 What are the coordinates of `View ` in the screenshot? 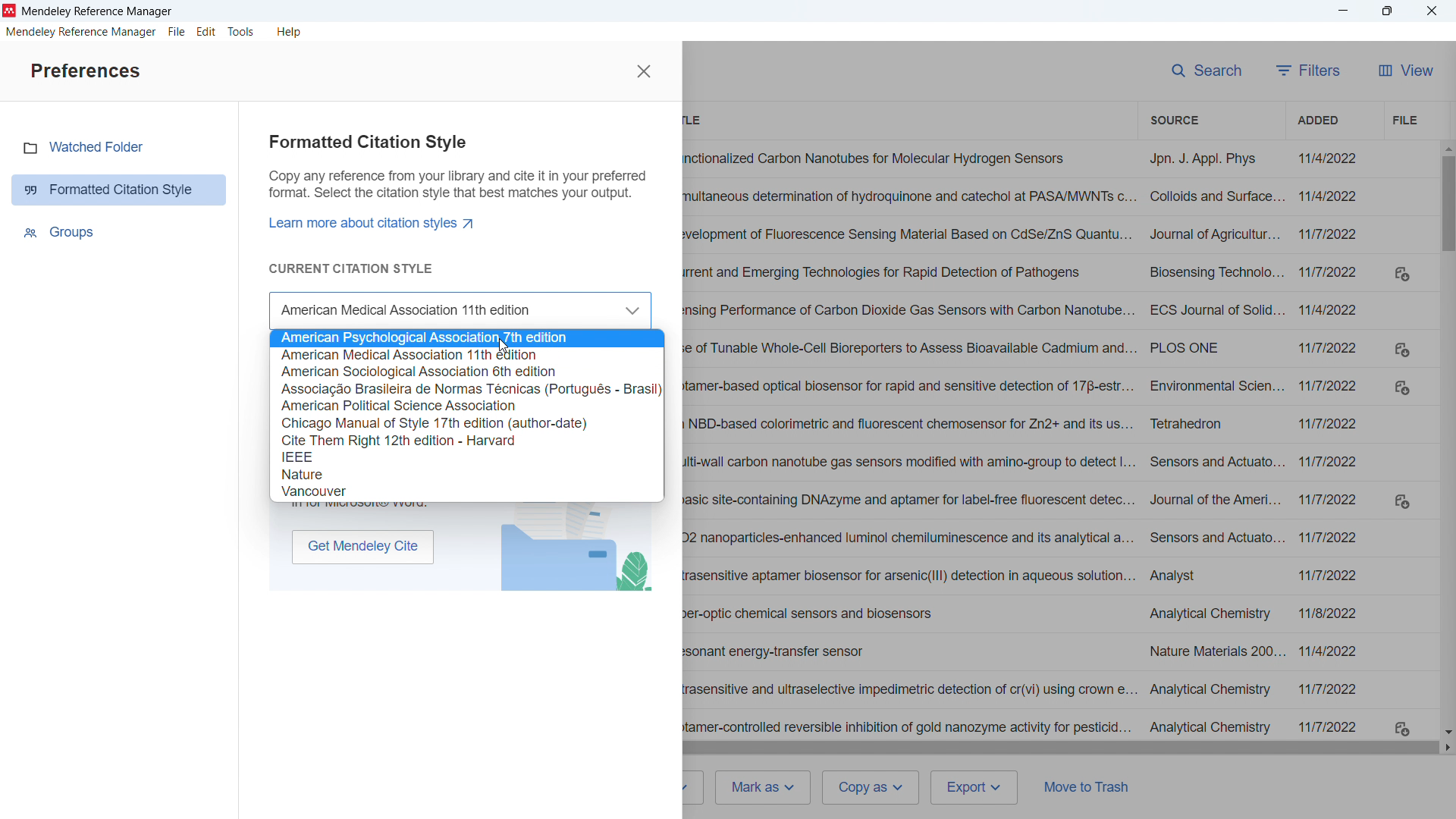 It's located at (1407, 71).